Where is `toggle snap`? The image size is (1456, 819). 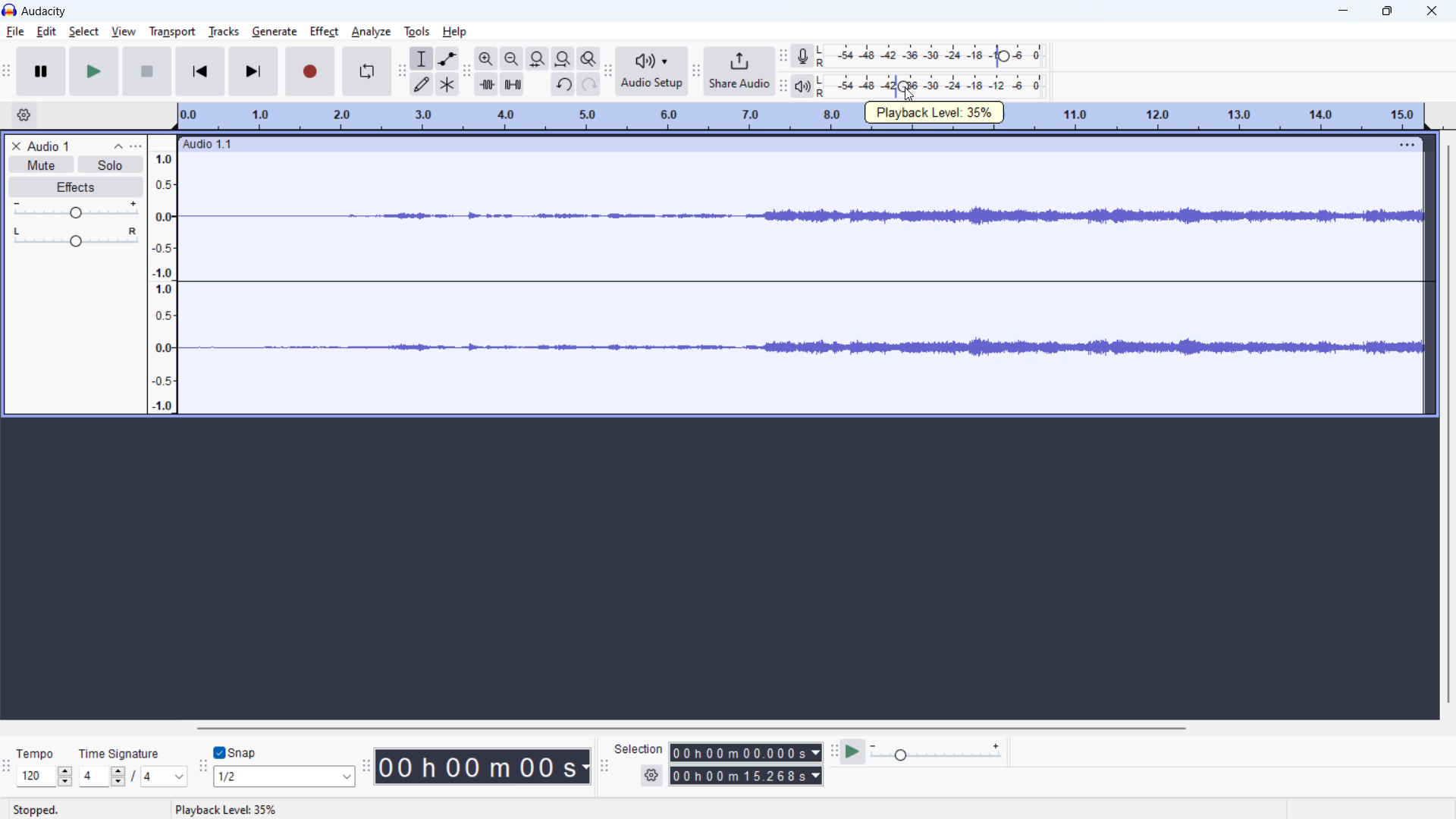 toggle snap is located at coordinates (236, 753).